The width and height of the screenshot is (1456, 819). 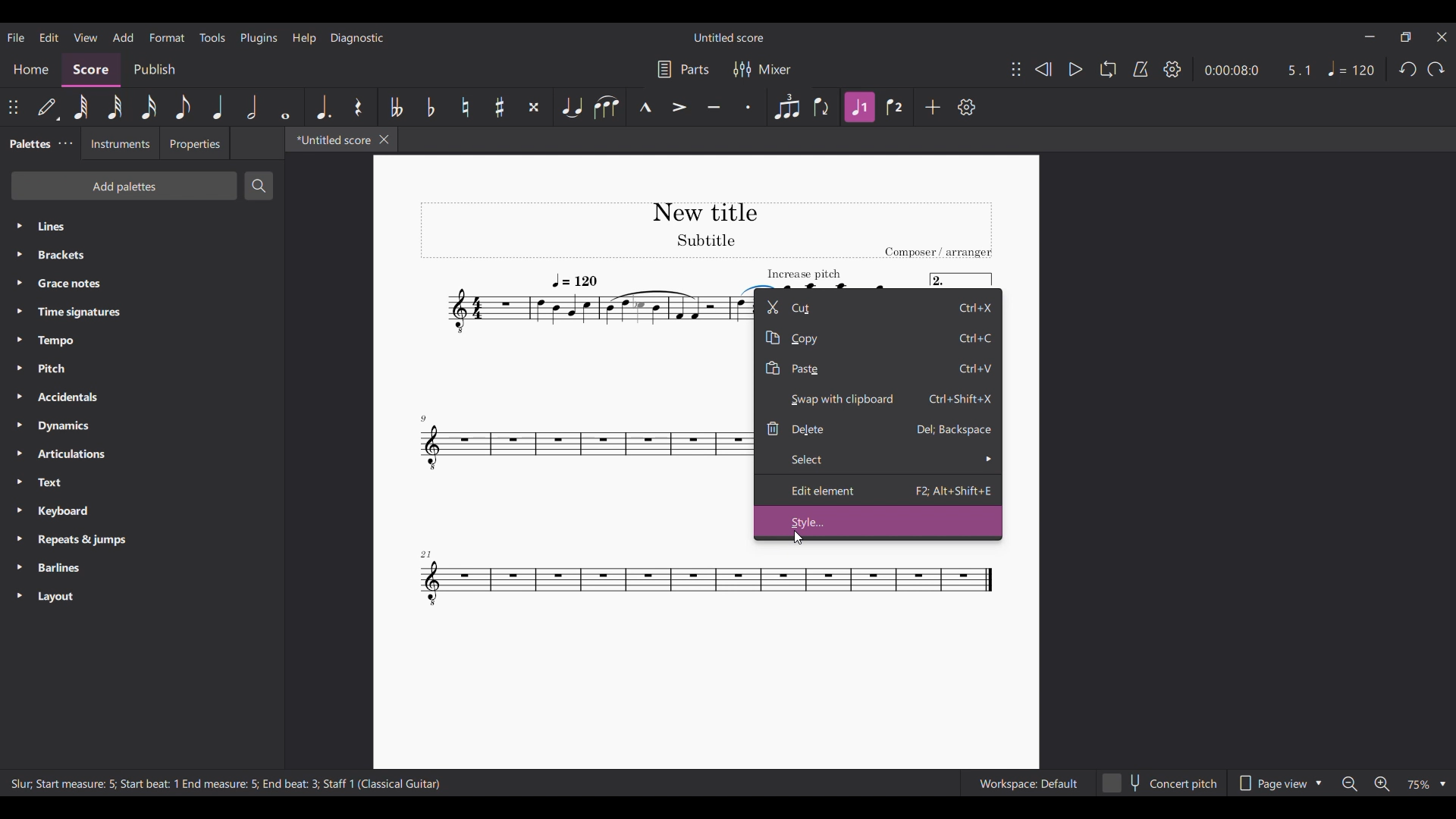 I want to click on Voice 1, highlighted, so click(x=860, y=108).